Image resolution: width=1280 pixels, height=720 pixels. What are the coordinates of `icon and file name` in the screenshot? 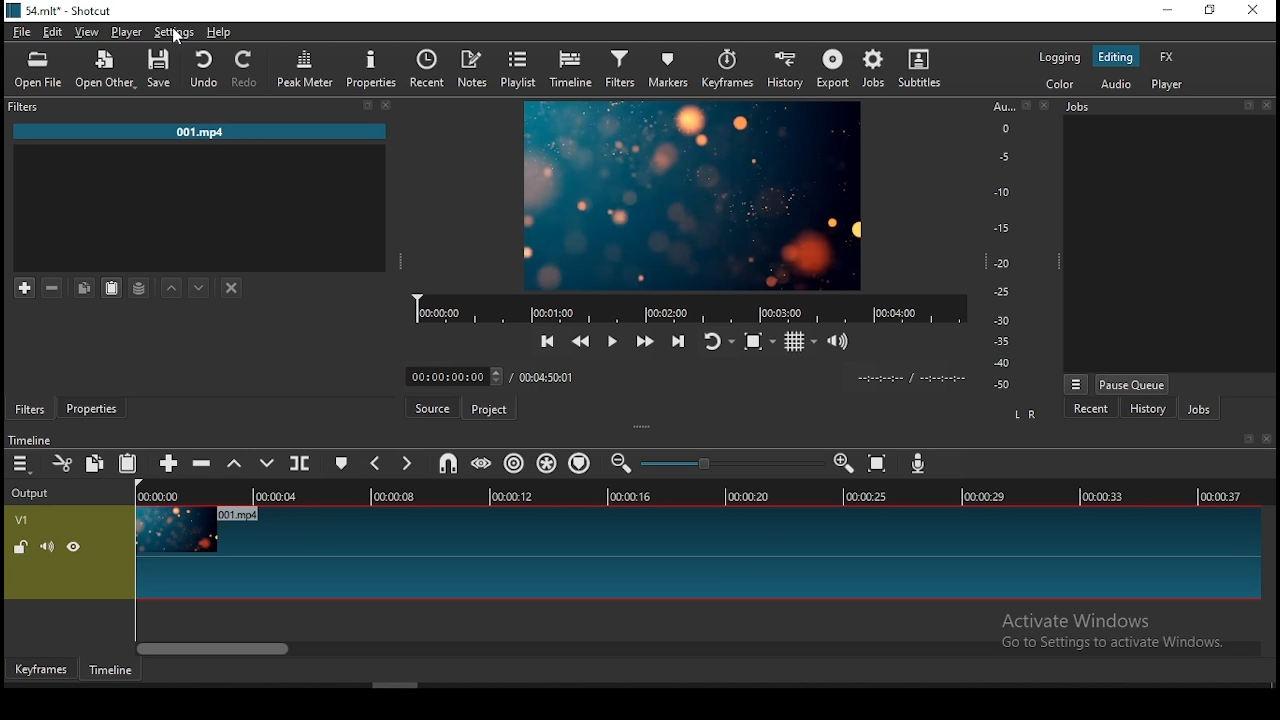 It's located at (62, 9).